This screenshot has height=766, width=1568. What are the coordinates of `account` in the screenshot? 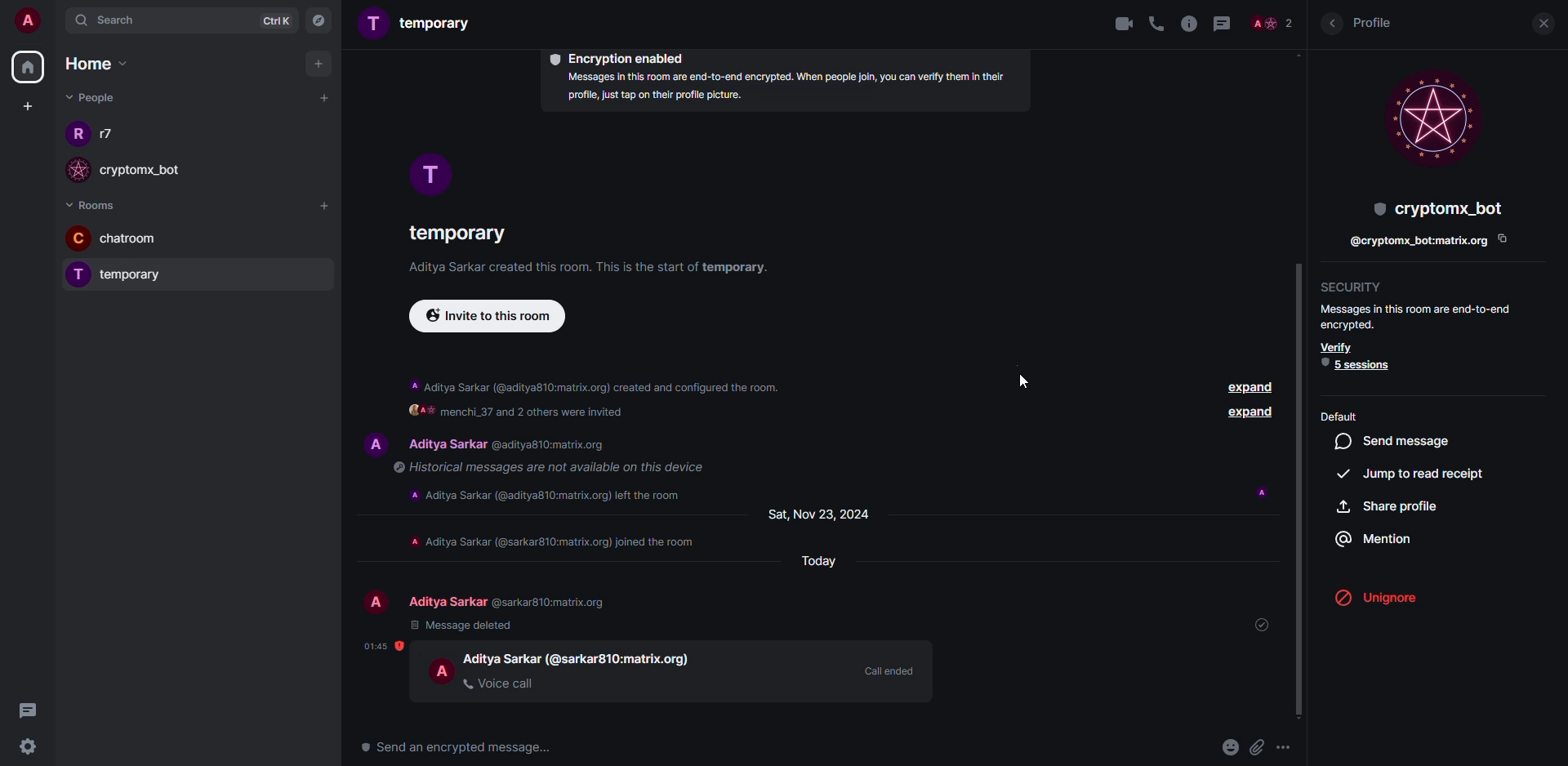 It's located at (29, 22).